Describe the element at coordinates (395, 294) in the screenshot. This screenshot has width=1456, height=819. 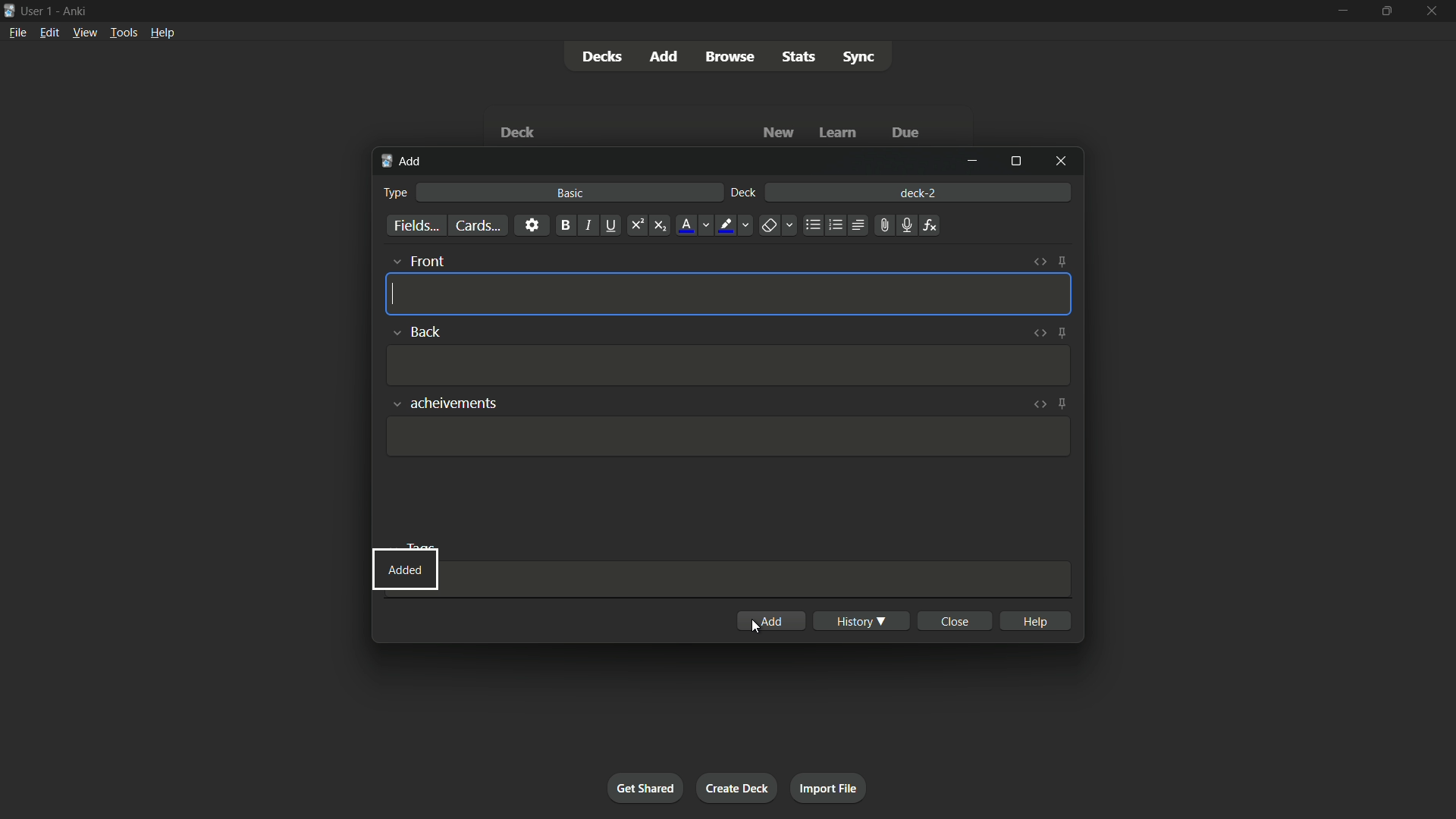
I see `typing cursor` at that location.